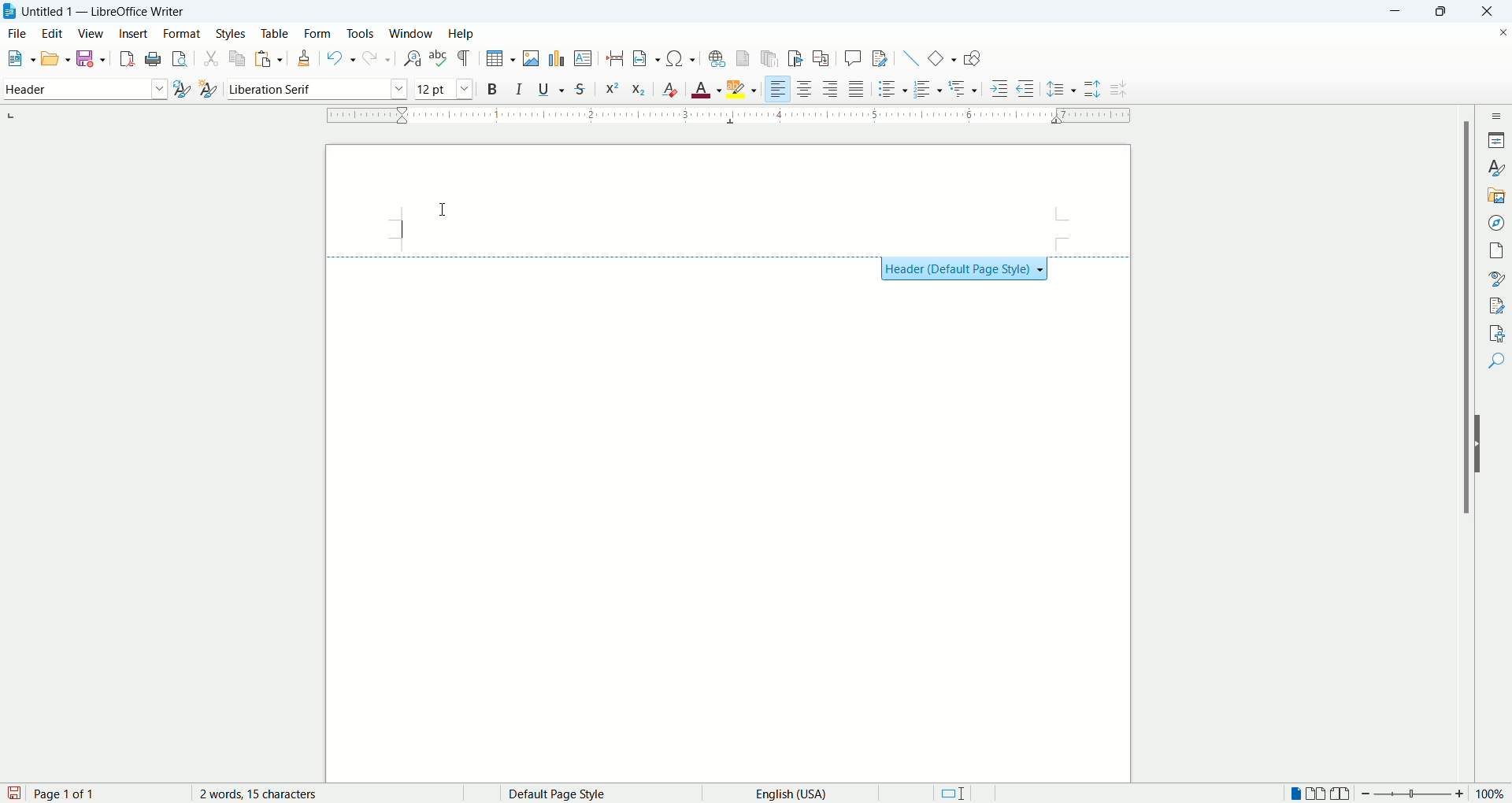 The image size is (1512, 803). I want to click on file, so click(18, 33).